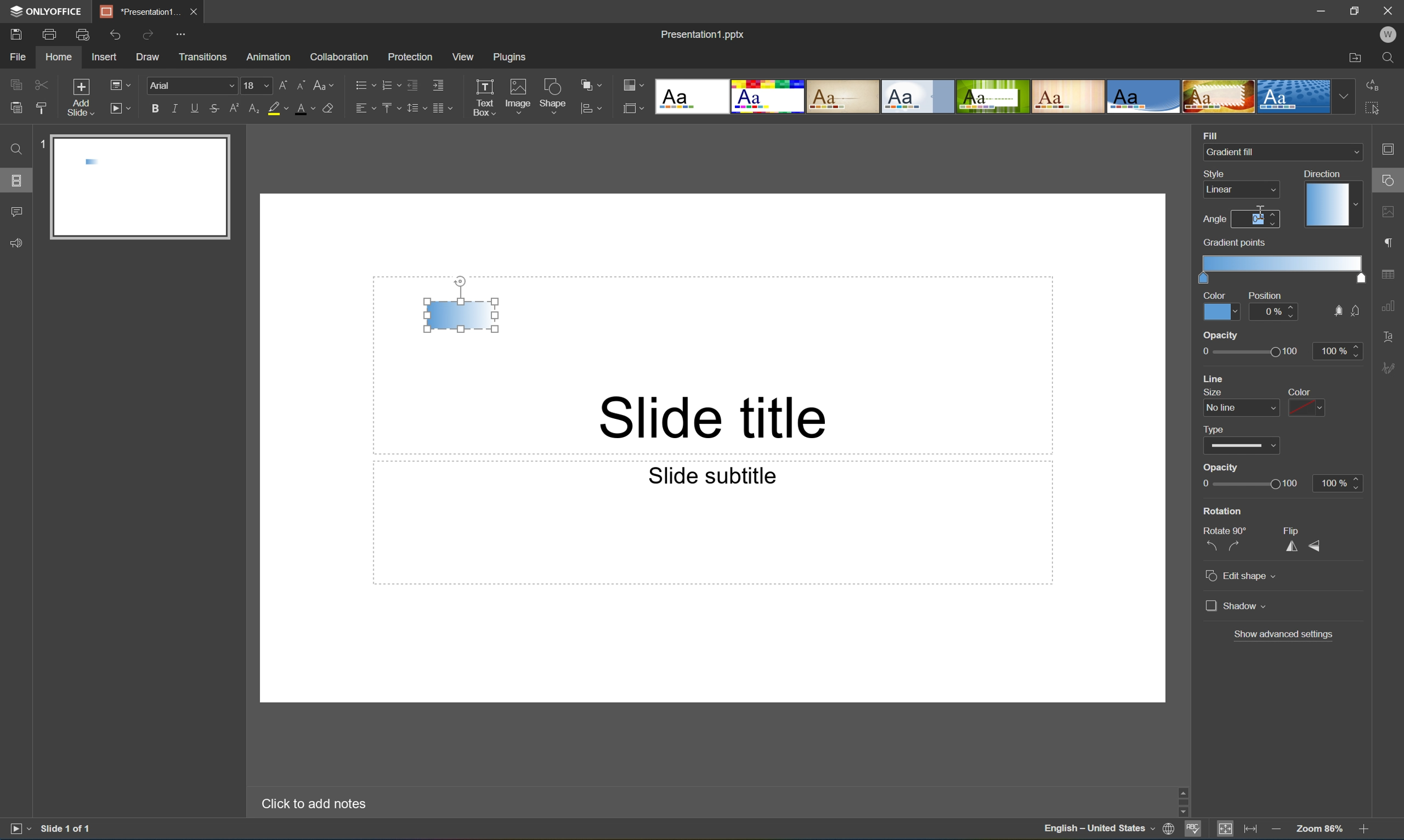 The image size is (1404, 840). Describe the element at coordinates (1376, 112) in the screenshot. I see `Select all` at that location.